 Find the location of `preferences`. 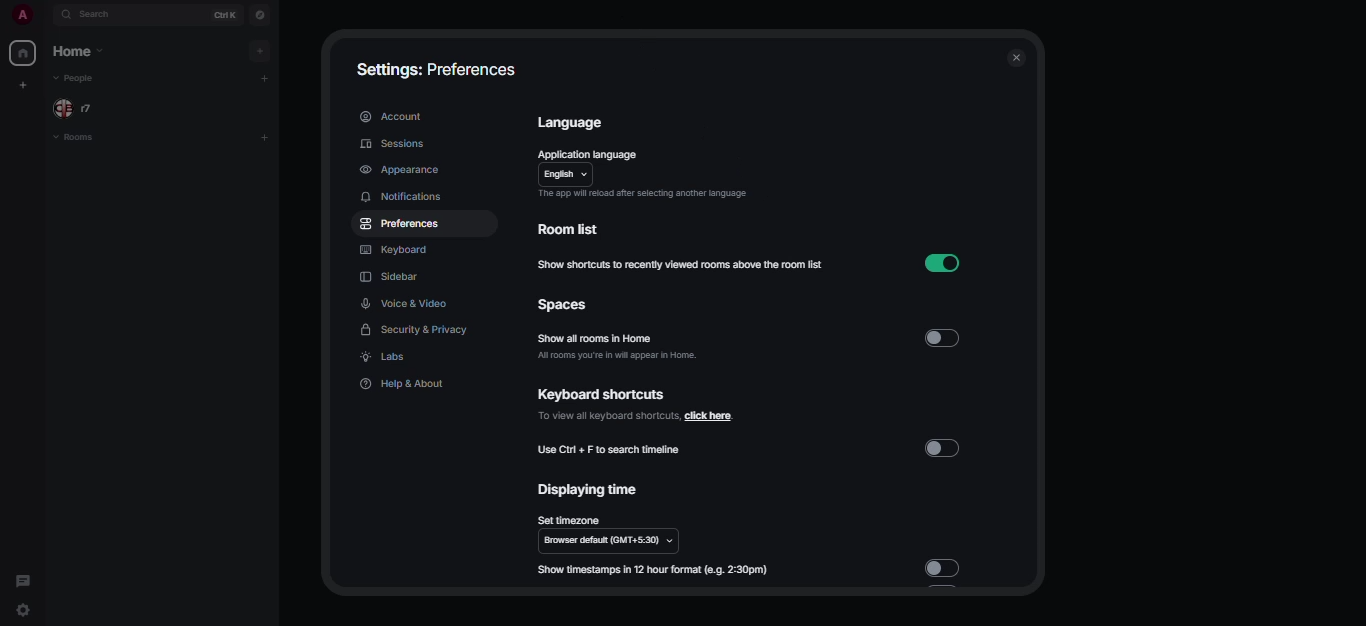

preferences is located at coordinates (402, 226).